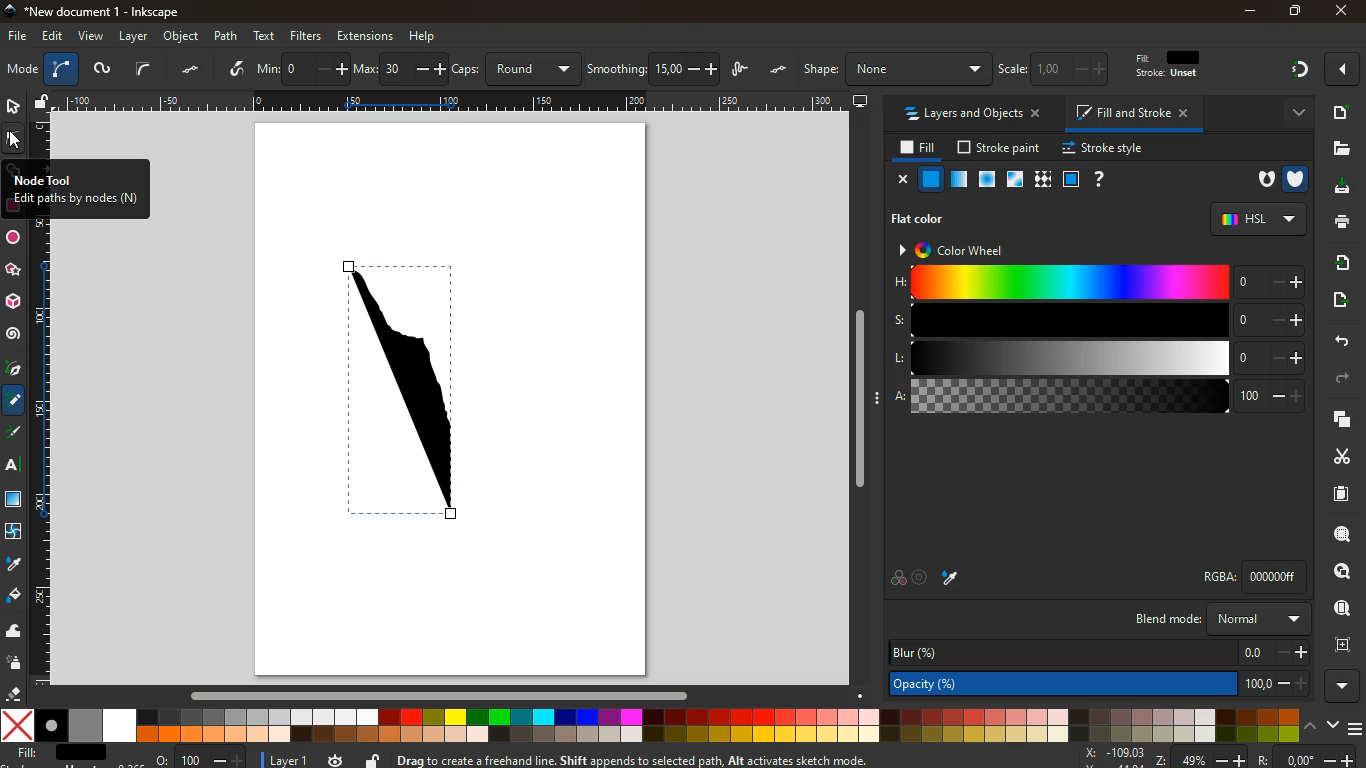  What do you see at coordinates (516, 66) in the screenshot?
I see `caps` at bounding box center [516, 66].